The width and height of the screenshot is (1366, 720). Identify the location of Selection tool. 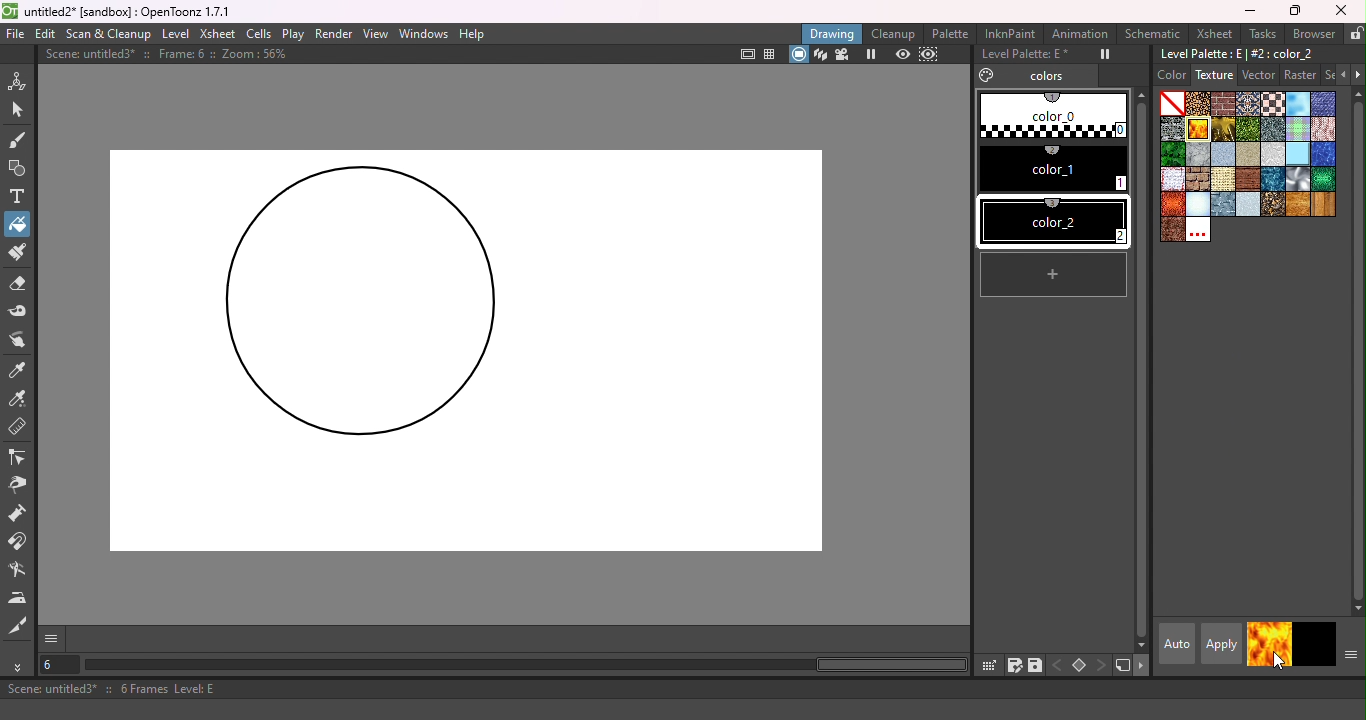
(20, 113).